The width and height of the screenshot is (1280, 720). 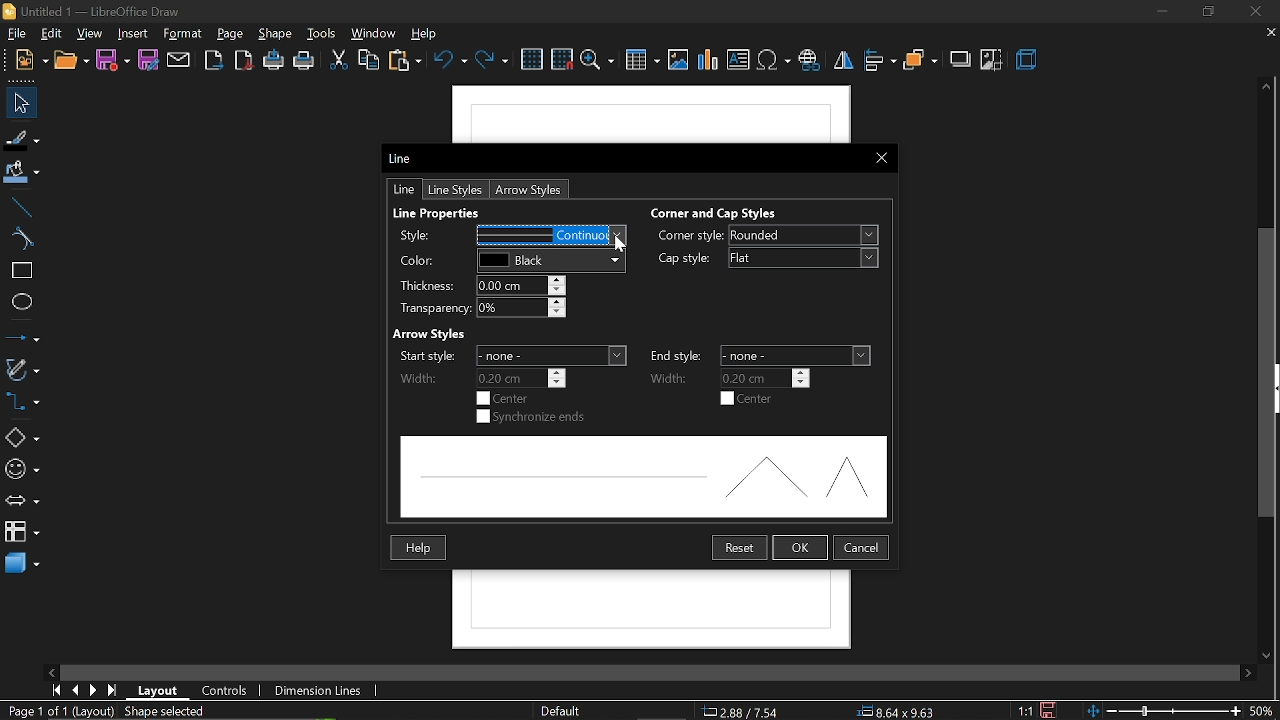 What do you see at coordinates (454, 190) in the screenshot?
I see `line styles` at bounding box center [454, 190].